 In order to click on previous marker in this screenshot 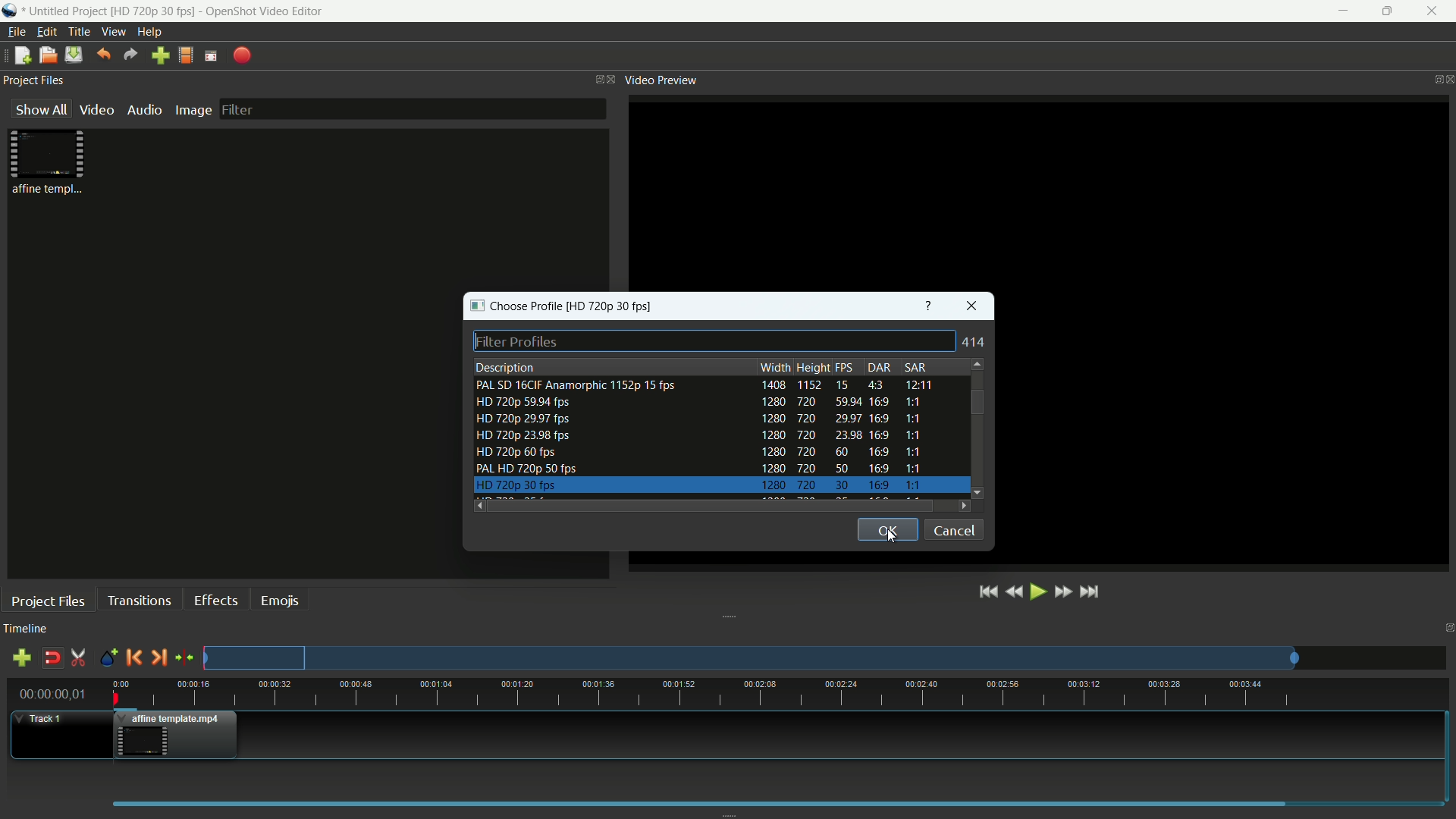, I will do `click(133, 657)`.